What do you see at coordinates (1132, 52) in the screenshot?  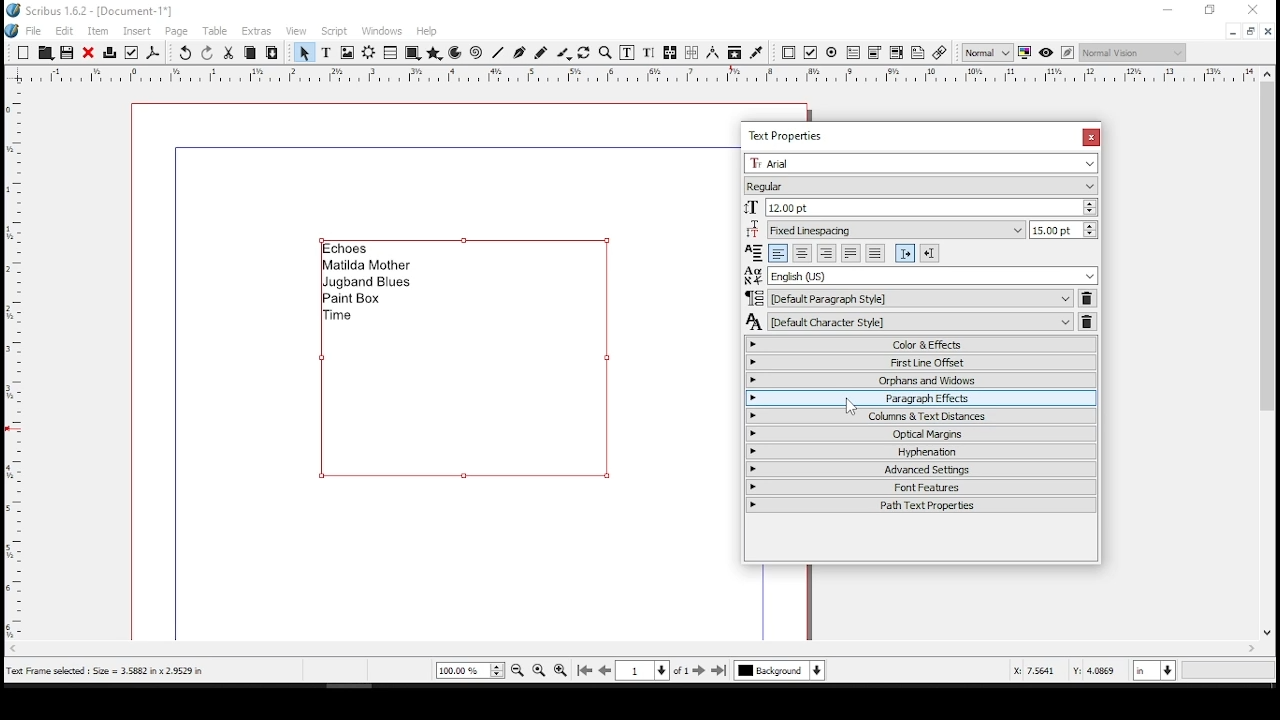 I see `select the visual appearance of display` at bounding box center [1132, 52].